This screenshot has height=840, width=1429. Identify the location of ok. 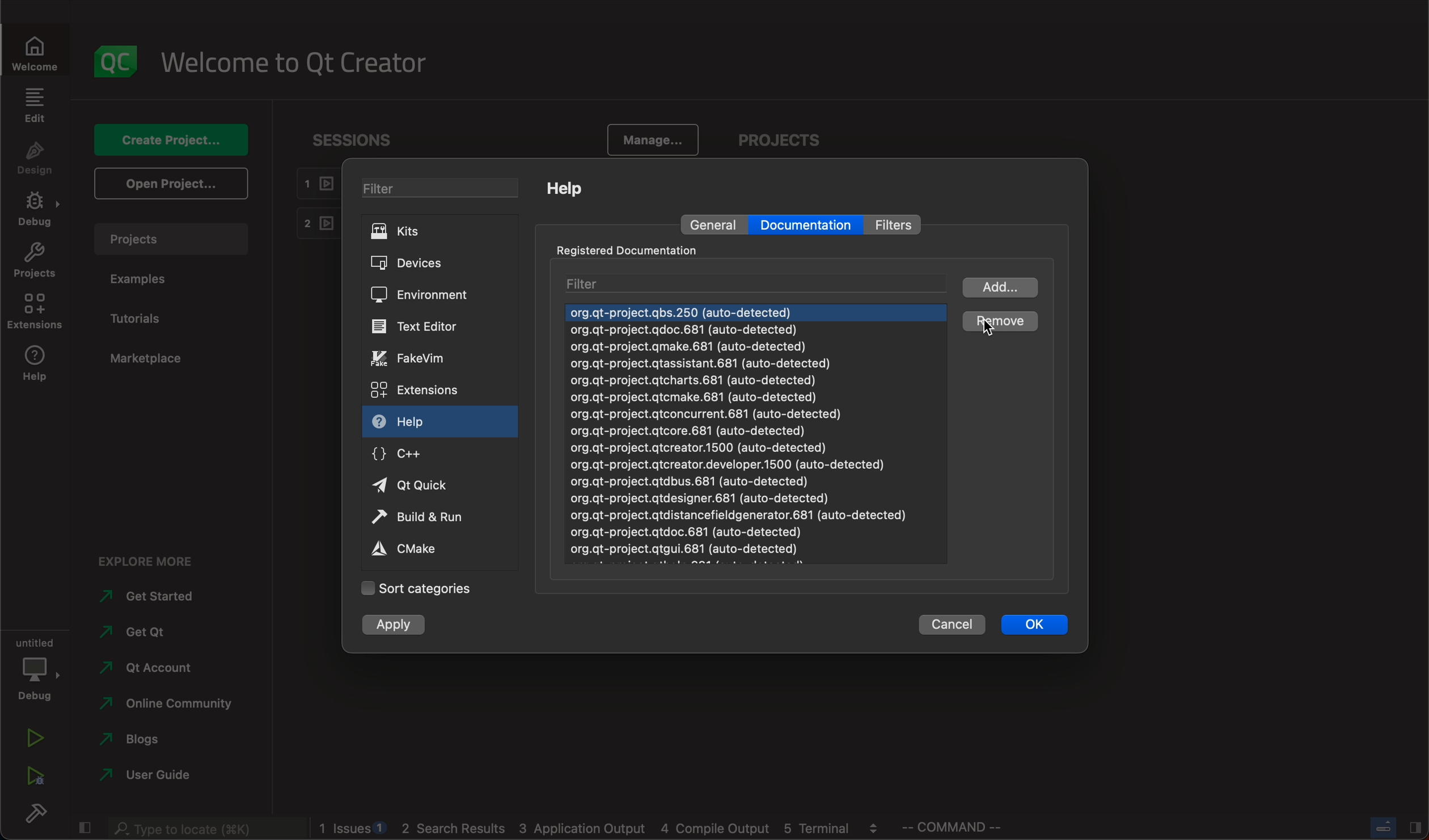
(1033, 625).